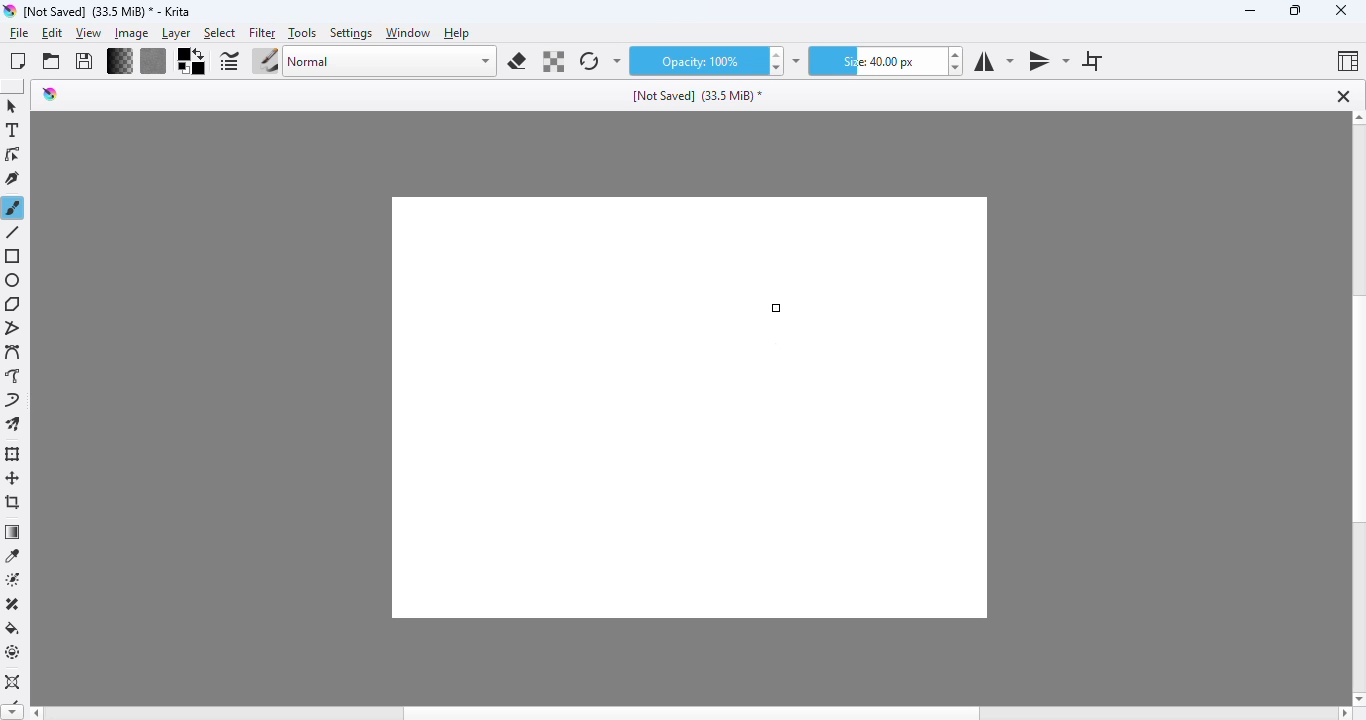  I want to click on size, so click(878, 61).